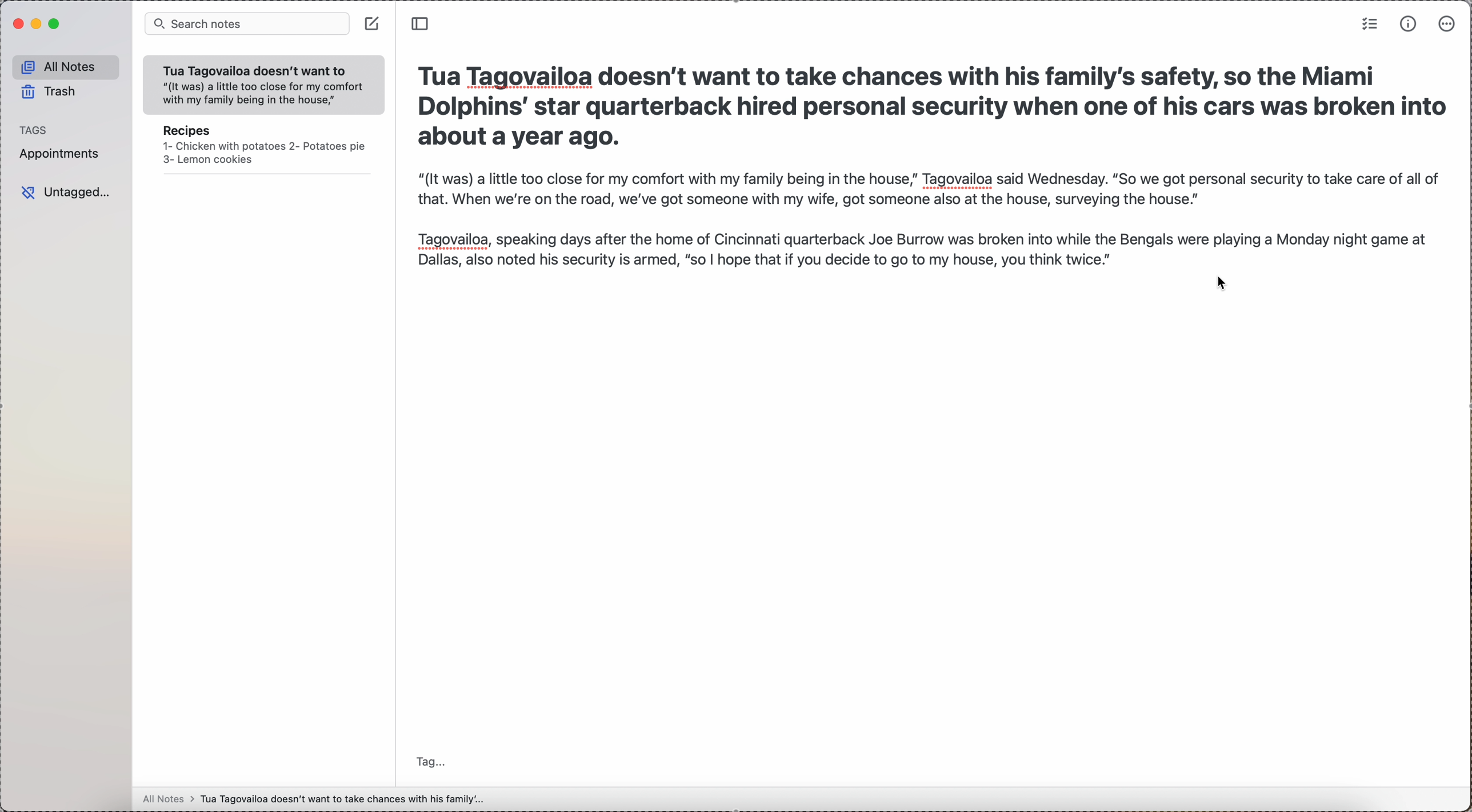  I want to click on appointments, so click(65, 154).